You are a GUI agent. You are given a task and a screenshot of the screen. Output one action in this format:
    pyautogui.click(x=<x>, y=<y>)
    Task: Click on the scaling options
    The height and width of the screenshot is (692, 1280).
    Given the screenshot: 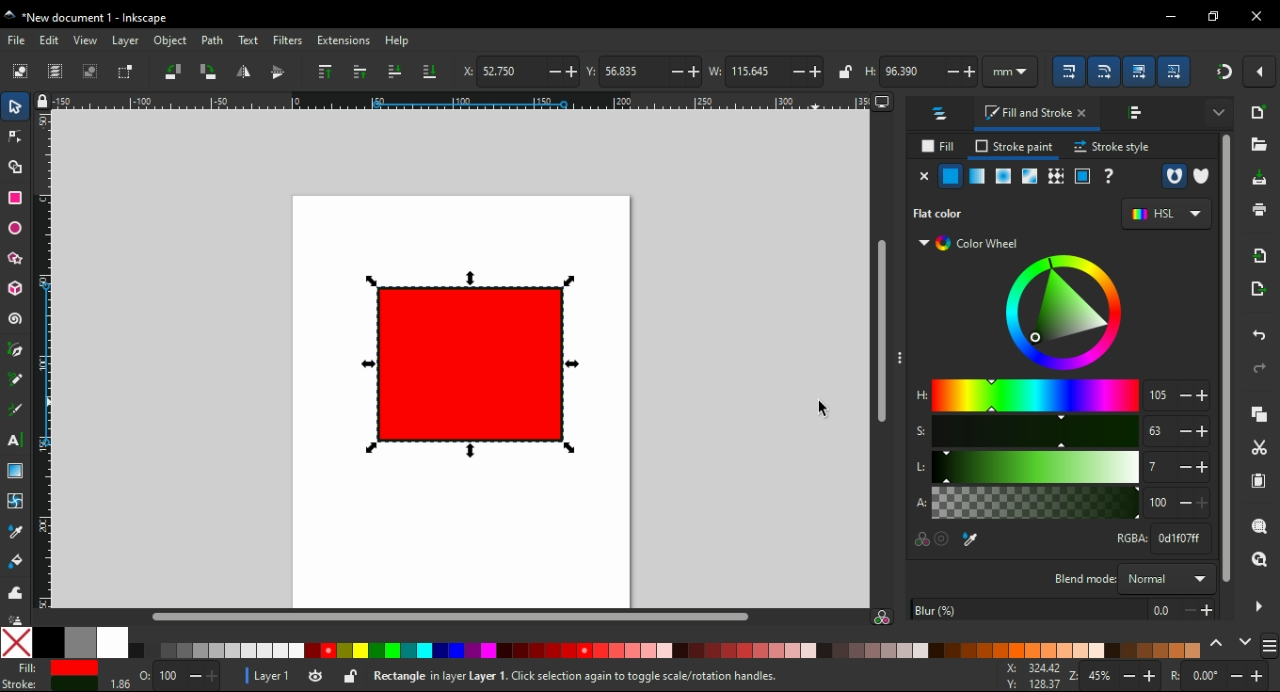 What is the action you would take?
    pyautogui.click(x=1138, y=71)
    